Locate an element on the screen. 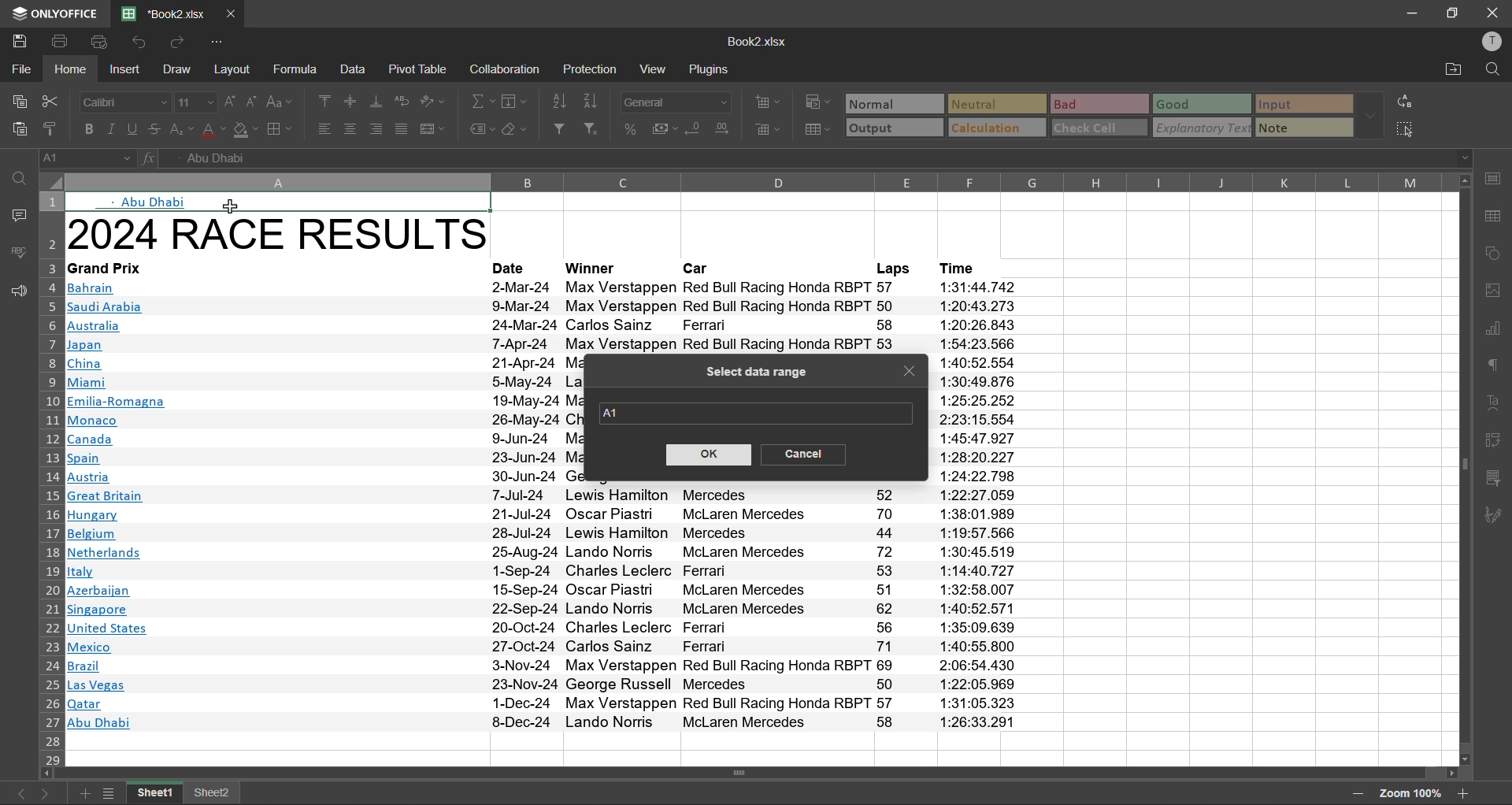 The width and height of the screenshot is (1512, 805). shapes is located at coordinates (1495, 254).